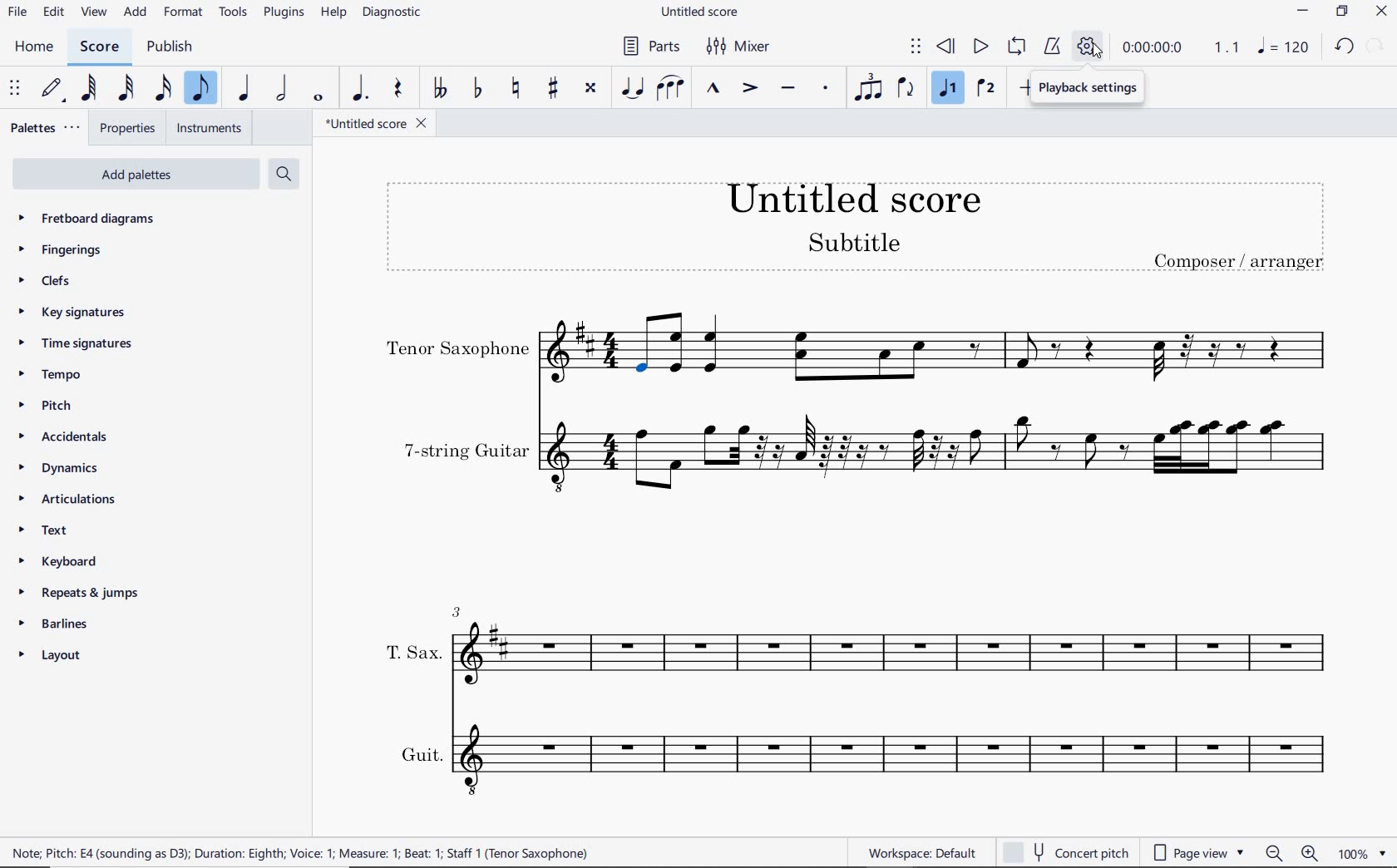 This screenshot has width=1397, height=868. Describe the element at coordinates (475, 89) in the screenshot. I see `TOGGLE FLAT` at that location.